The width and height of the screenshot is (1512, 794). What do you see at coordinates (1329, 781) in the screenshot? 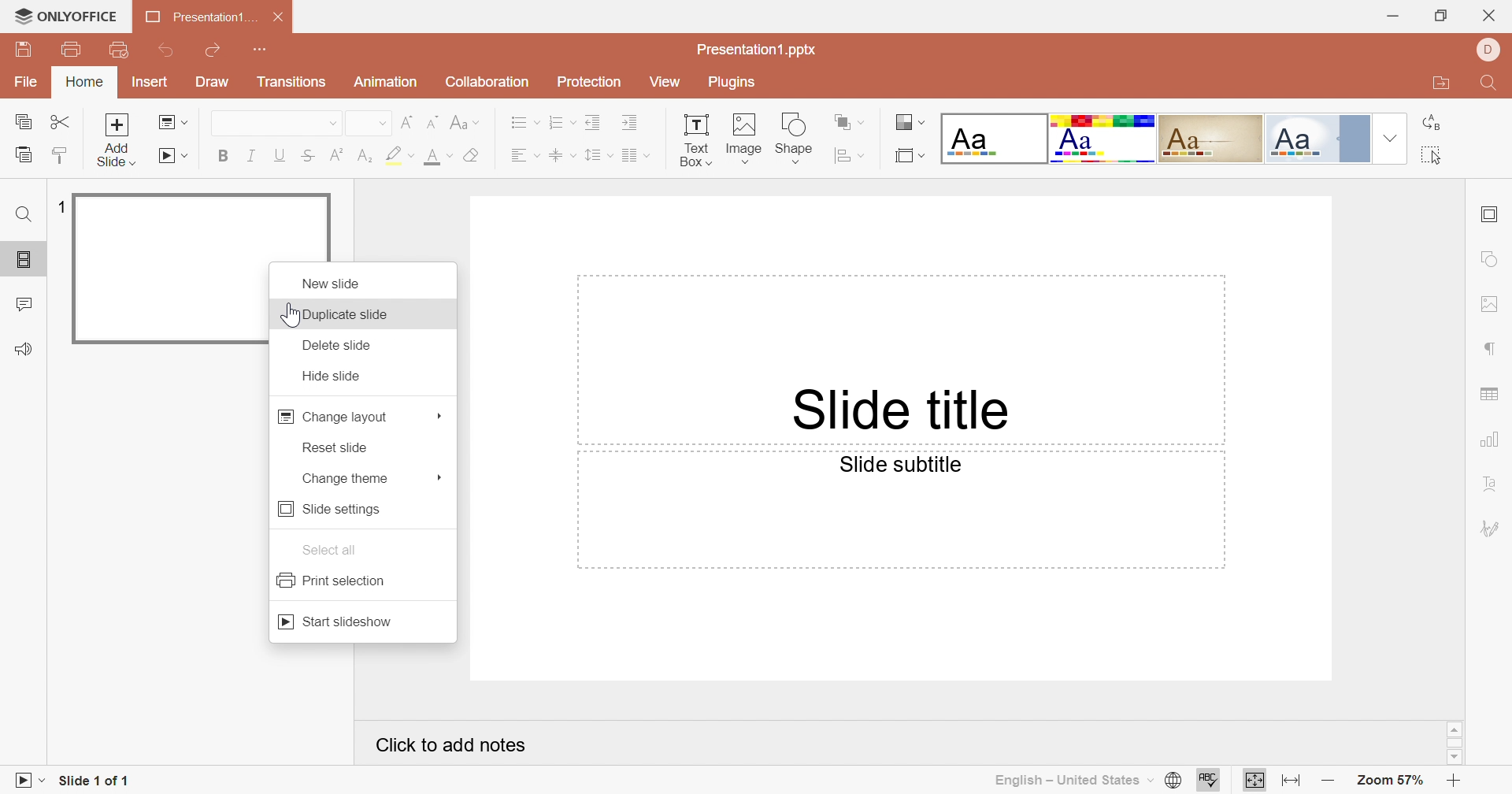
I see `Zoom out` at bounding box center [1329, 781].